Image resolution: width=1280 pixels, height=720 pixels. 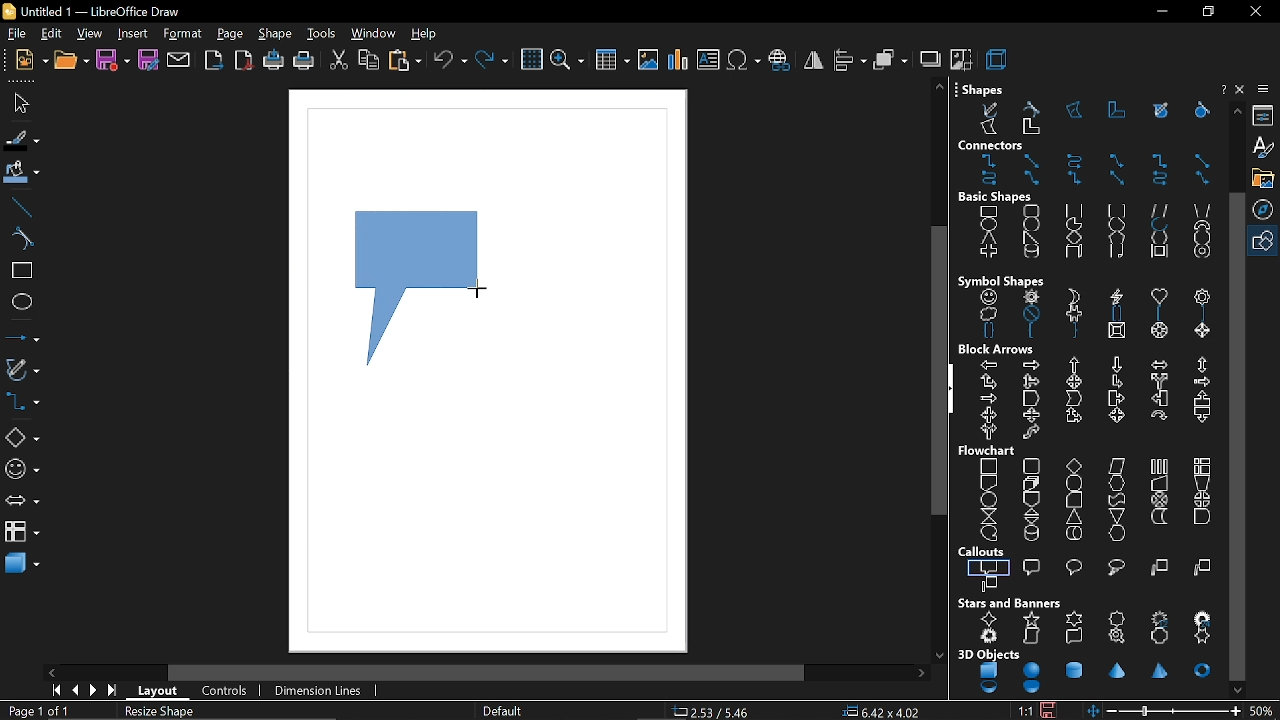 What do you see at coordinates (1161, 161) in the screenshot?
I see `connector` at bounding box center [1161, 161].